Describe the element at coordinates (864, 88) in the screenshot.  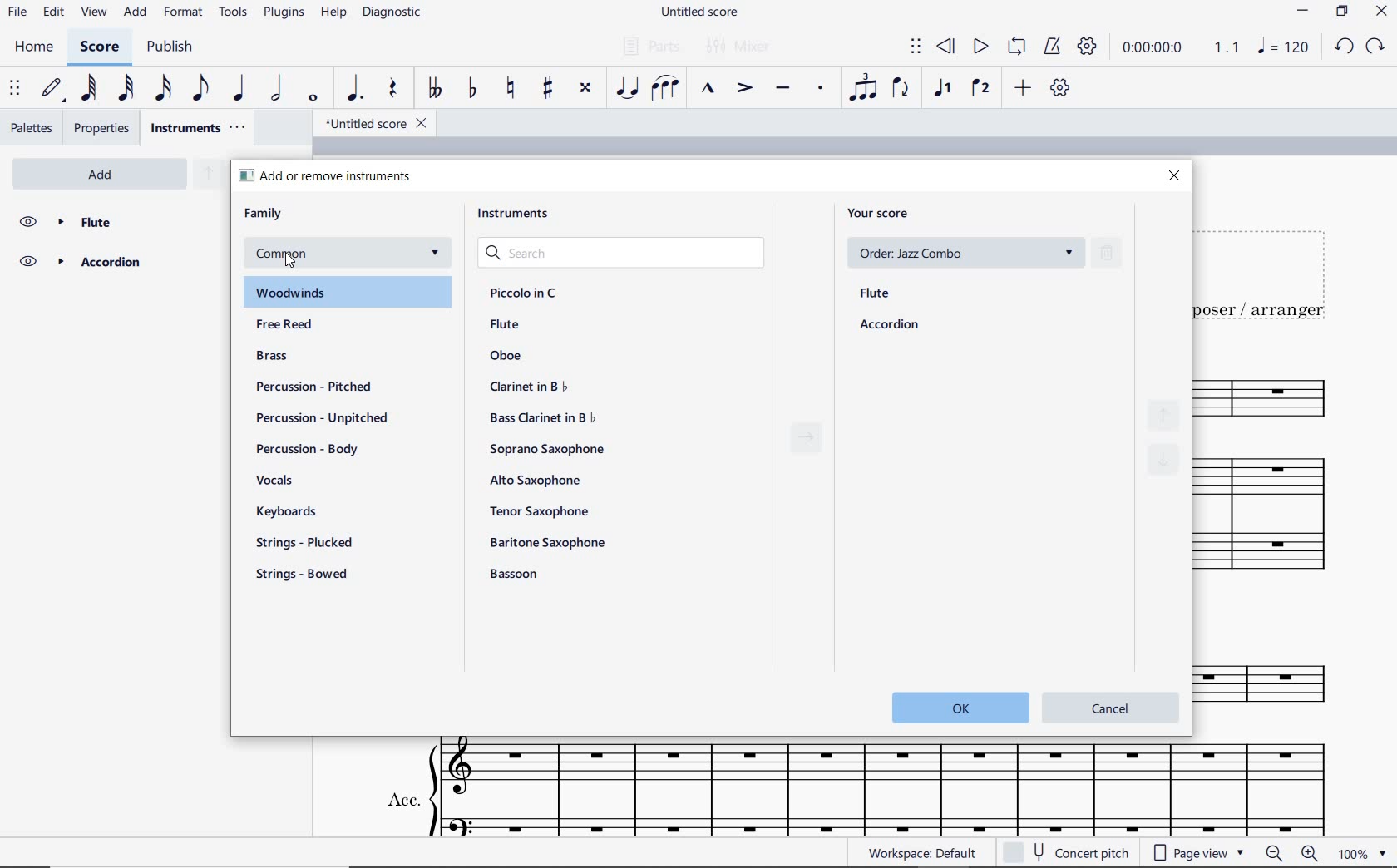
I see `tuplet` at that location.